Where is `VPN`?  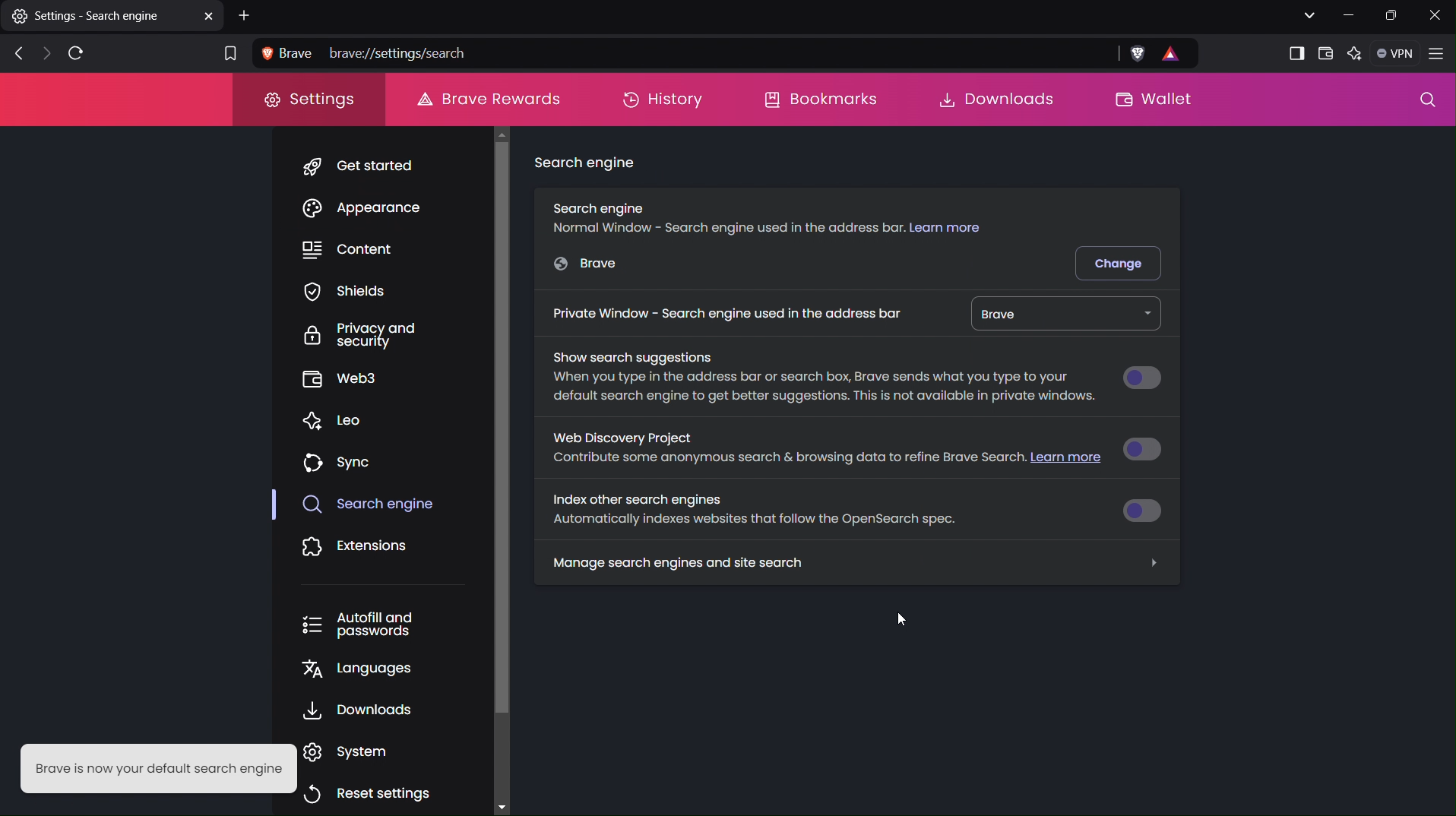
VPN is located at coordinates (1397, 54).